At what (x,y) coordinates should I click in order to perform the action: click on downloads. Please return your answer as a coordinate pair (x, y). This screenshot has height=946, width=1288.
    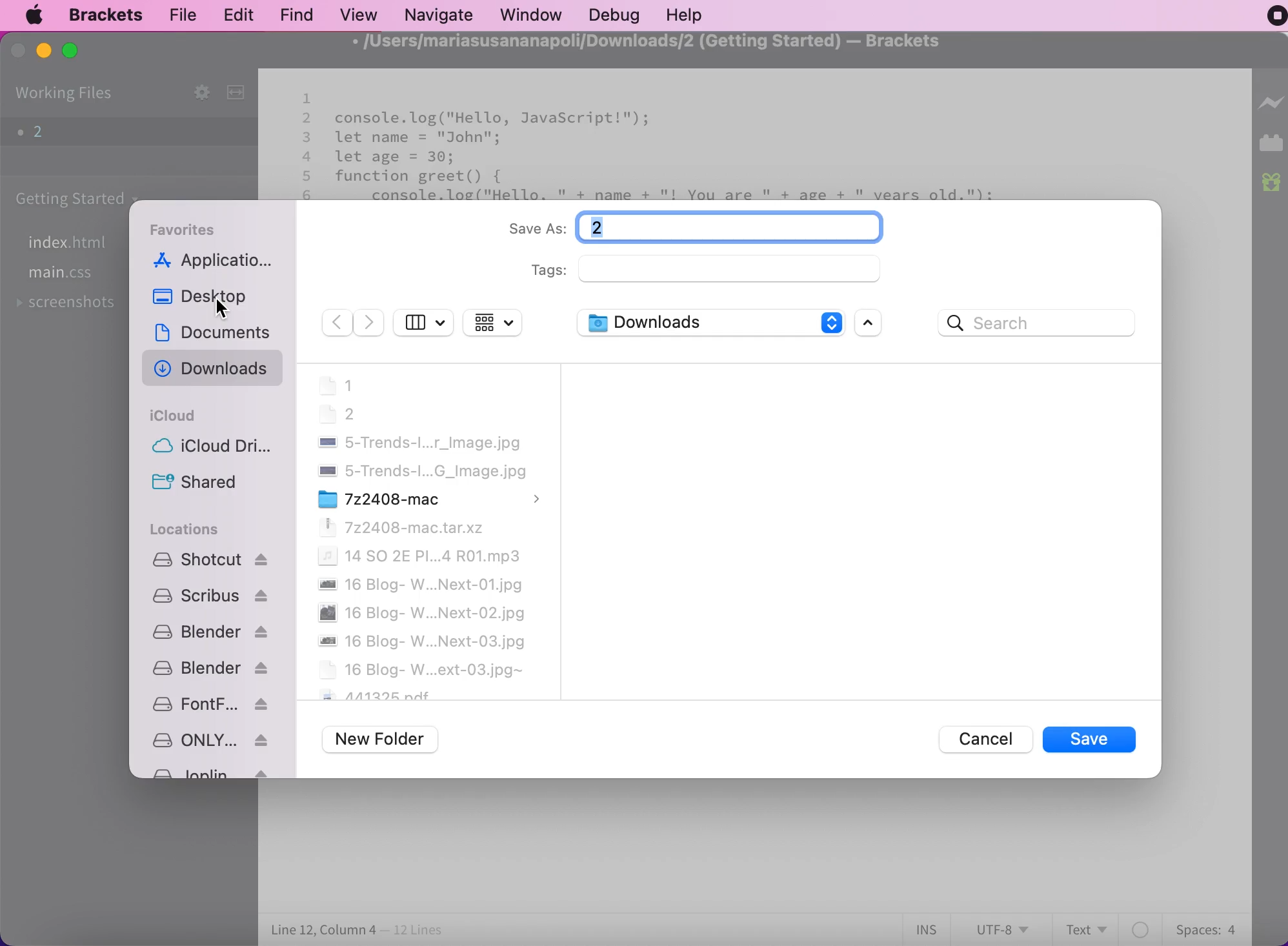
    Looking at the image, I should click on (708, 325).